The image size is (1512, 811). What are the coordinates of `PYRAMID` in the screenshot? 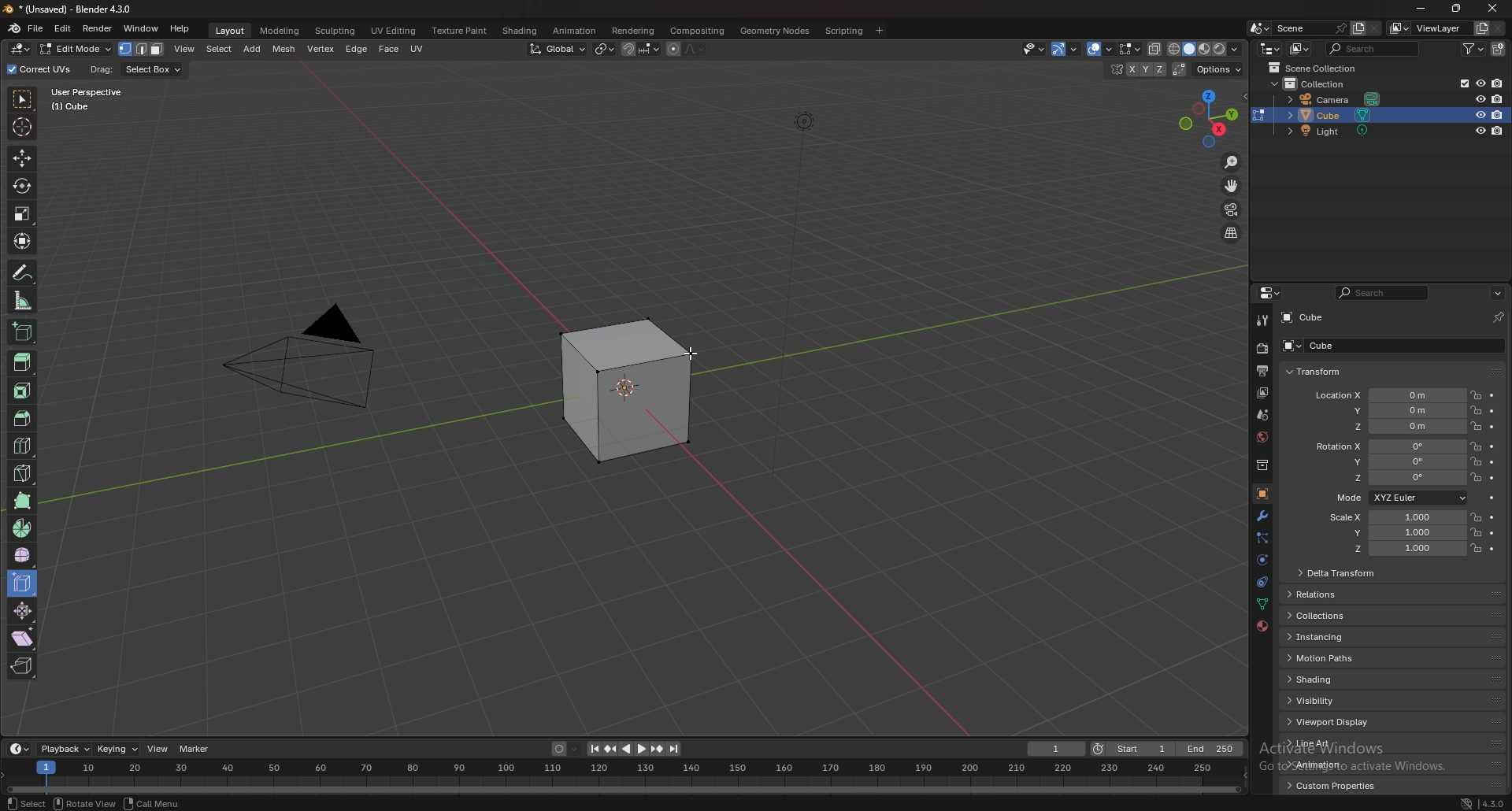 It's located at (313, 359).